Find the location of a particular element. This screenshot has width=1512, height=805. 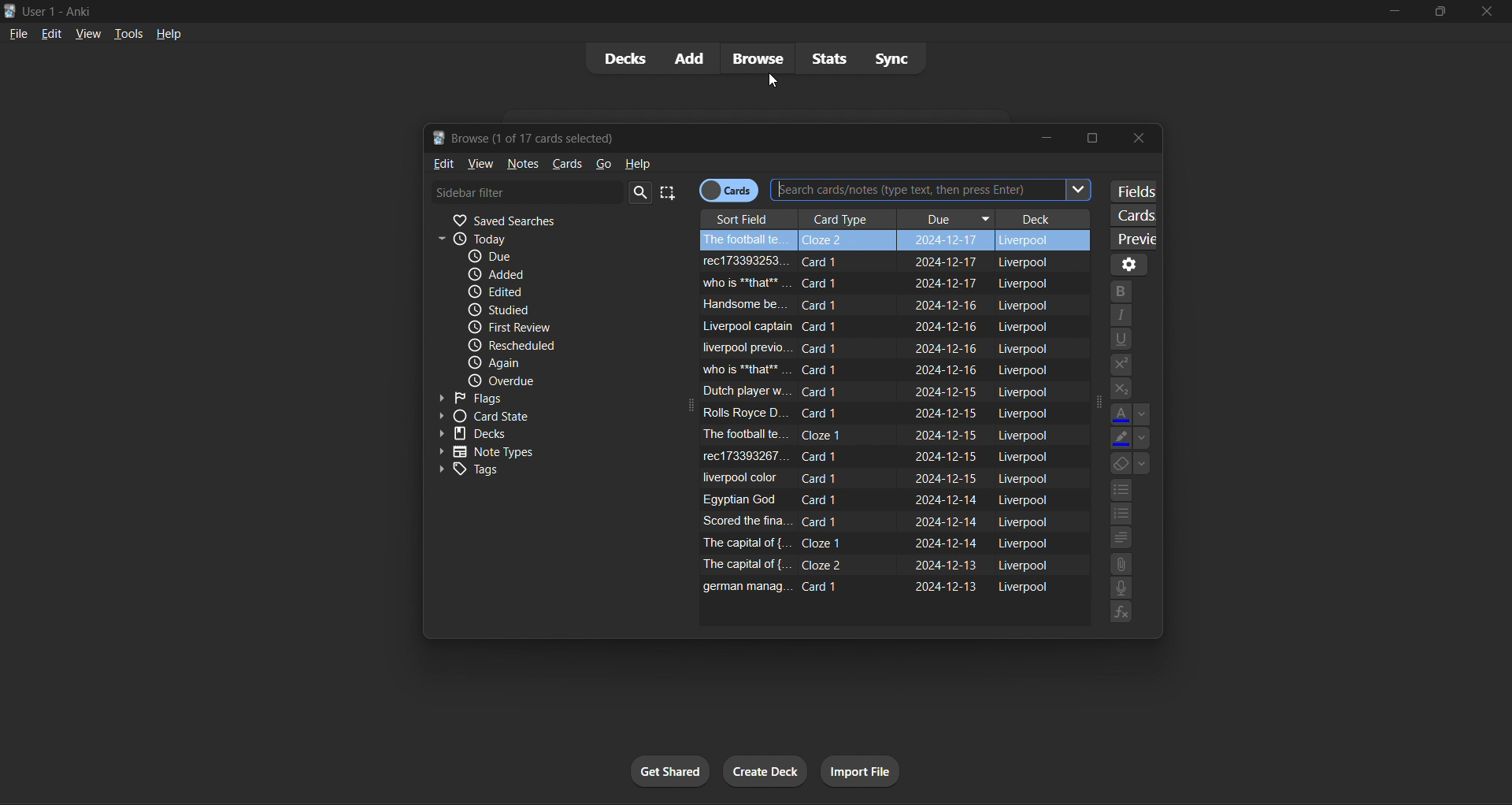

liverpool is located at coordinates (1032, 349).